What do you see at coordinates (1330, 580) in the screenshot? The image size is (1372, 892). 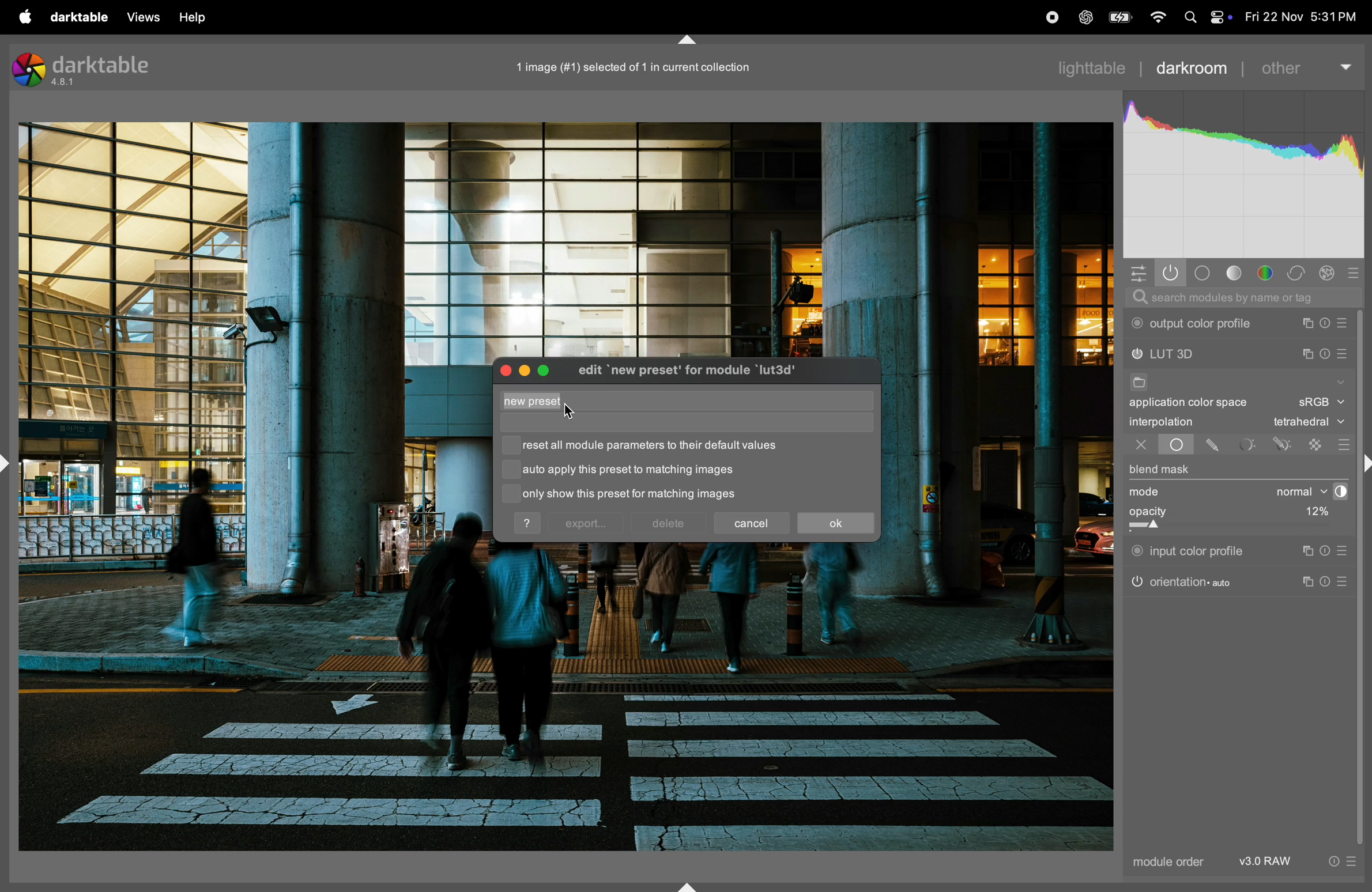 I see `reset parameters` at bounding box center [1330, 580].